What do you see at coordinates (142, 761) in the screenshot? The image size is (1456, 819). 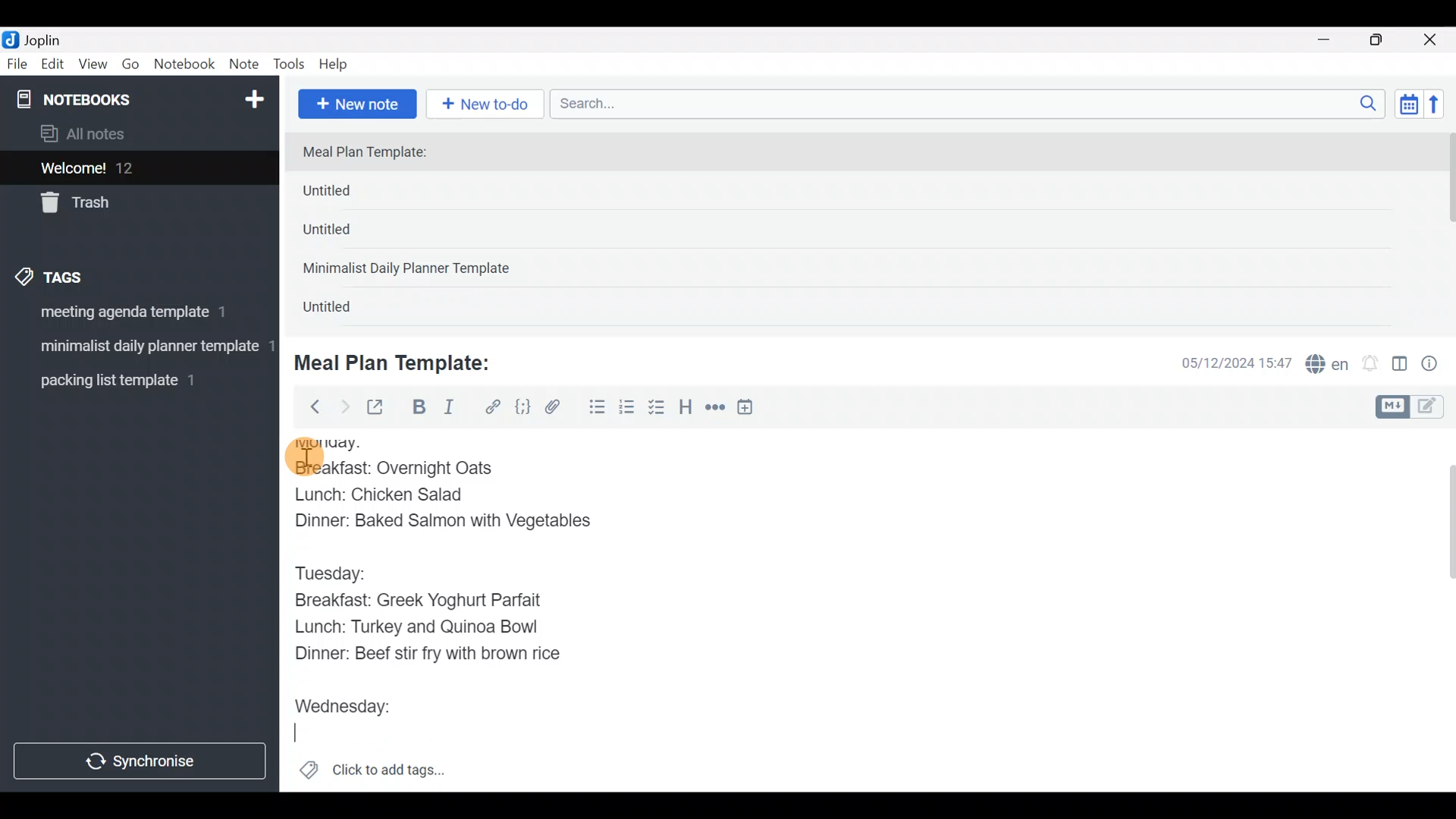 I see `Synchronize` at bounding box center [142, 761].